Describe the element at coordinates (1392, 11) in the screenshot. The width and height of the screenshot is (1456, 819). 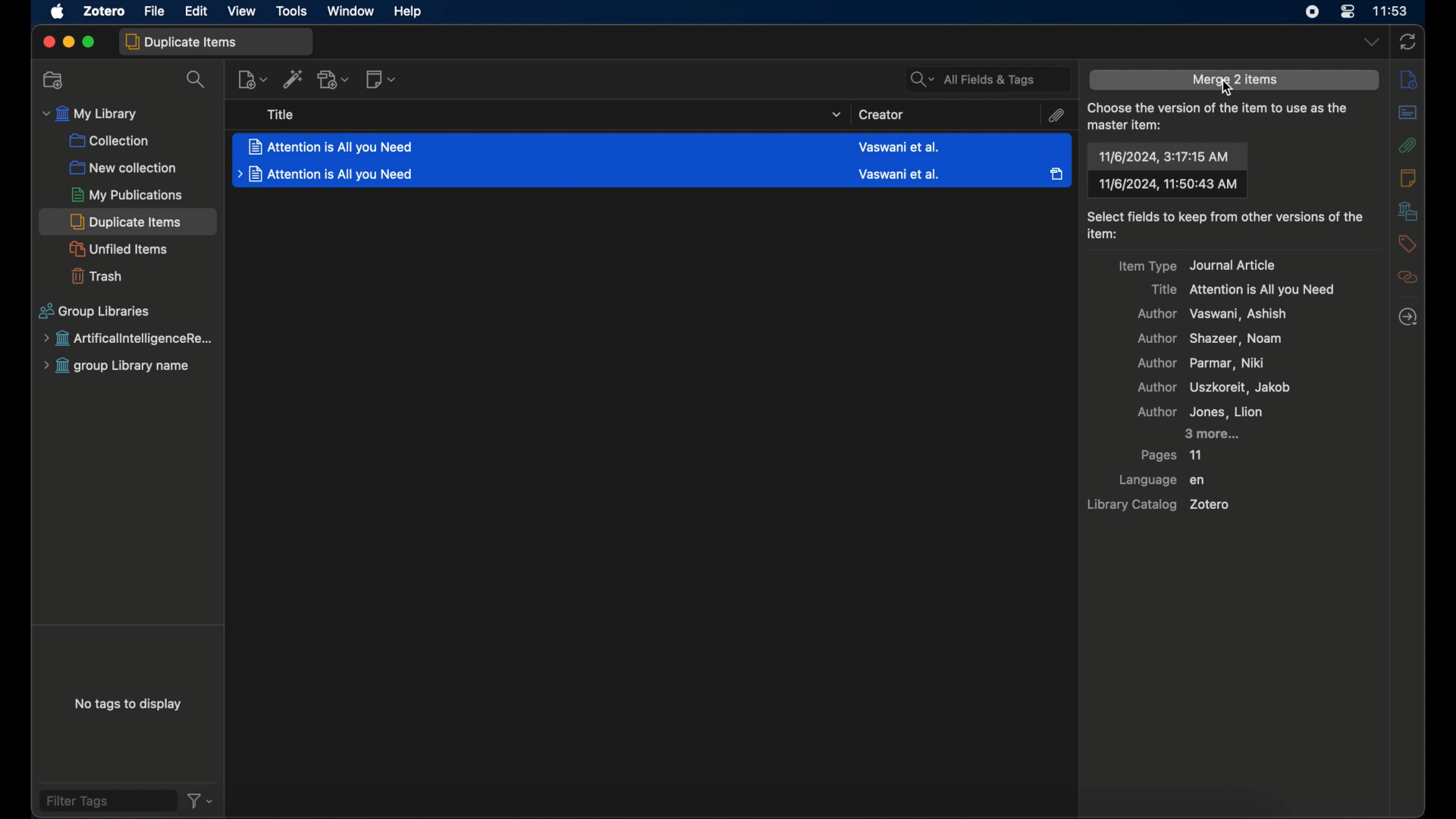
I see `time` at that location.